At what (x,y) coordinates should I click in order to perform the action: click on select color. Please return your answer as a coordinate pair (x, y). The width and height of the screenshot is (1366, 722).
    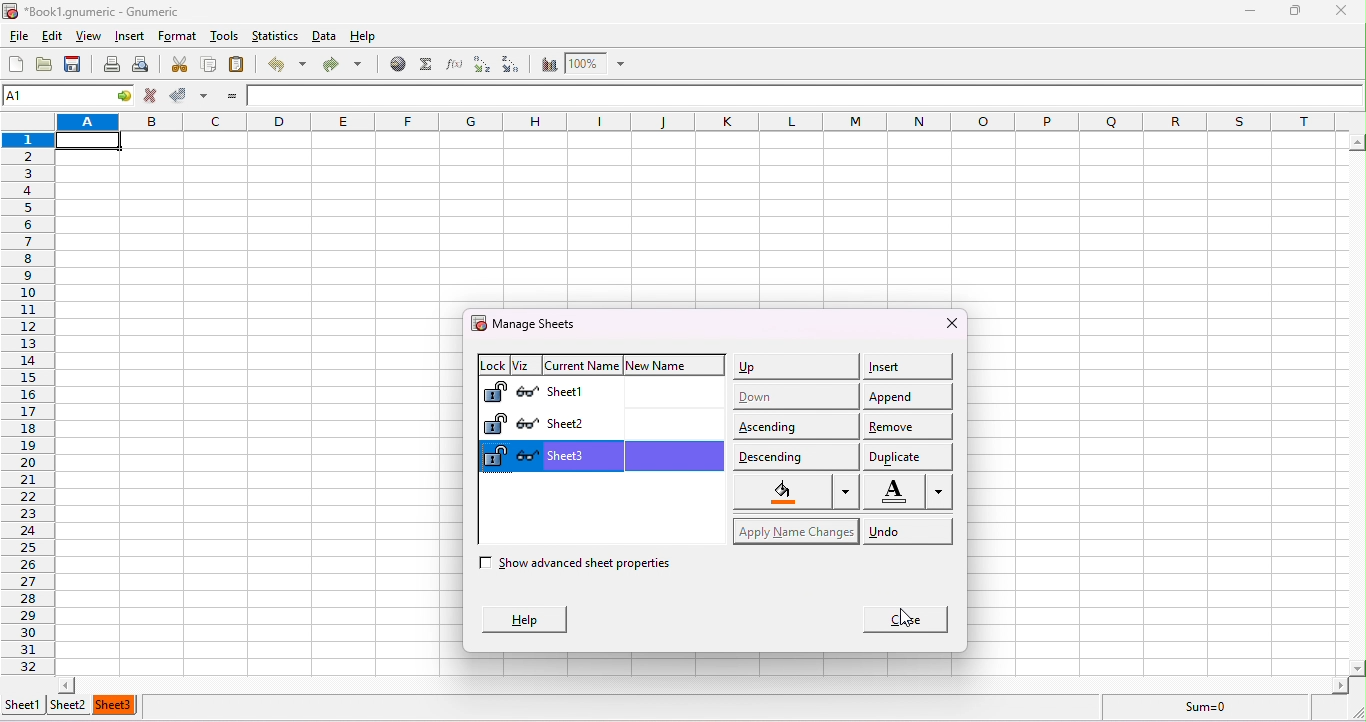
    Looking at the image, I should click on (789, 493).